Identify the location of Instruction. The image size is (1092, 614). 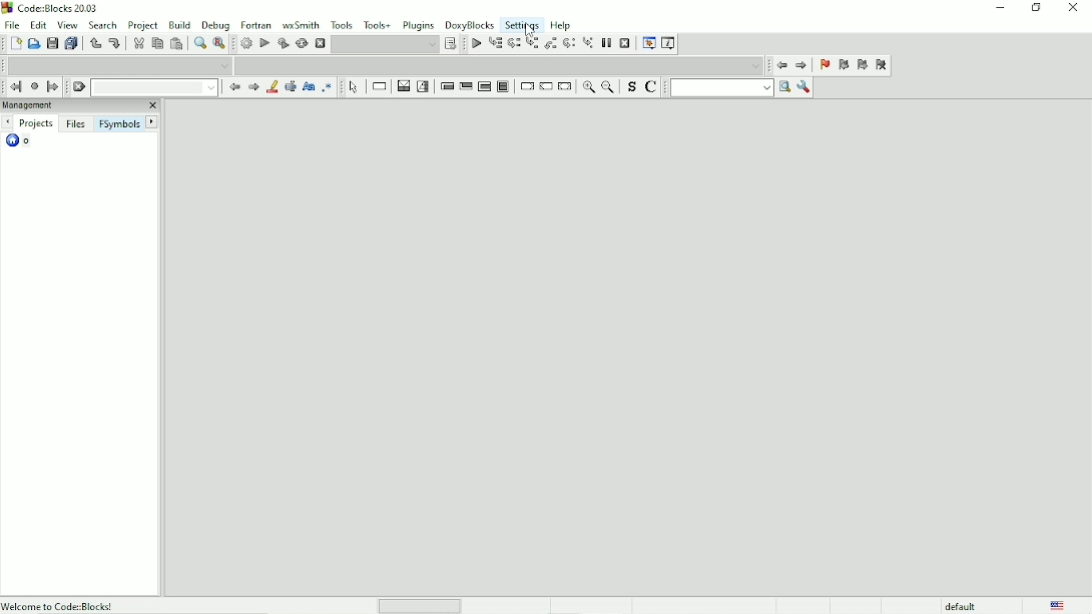
(379, 86).